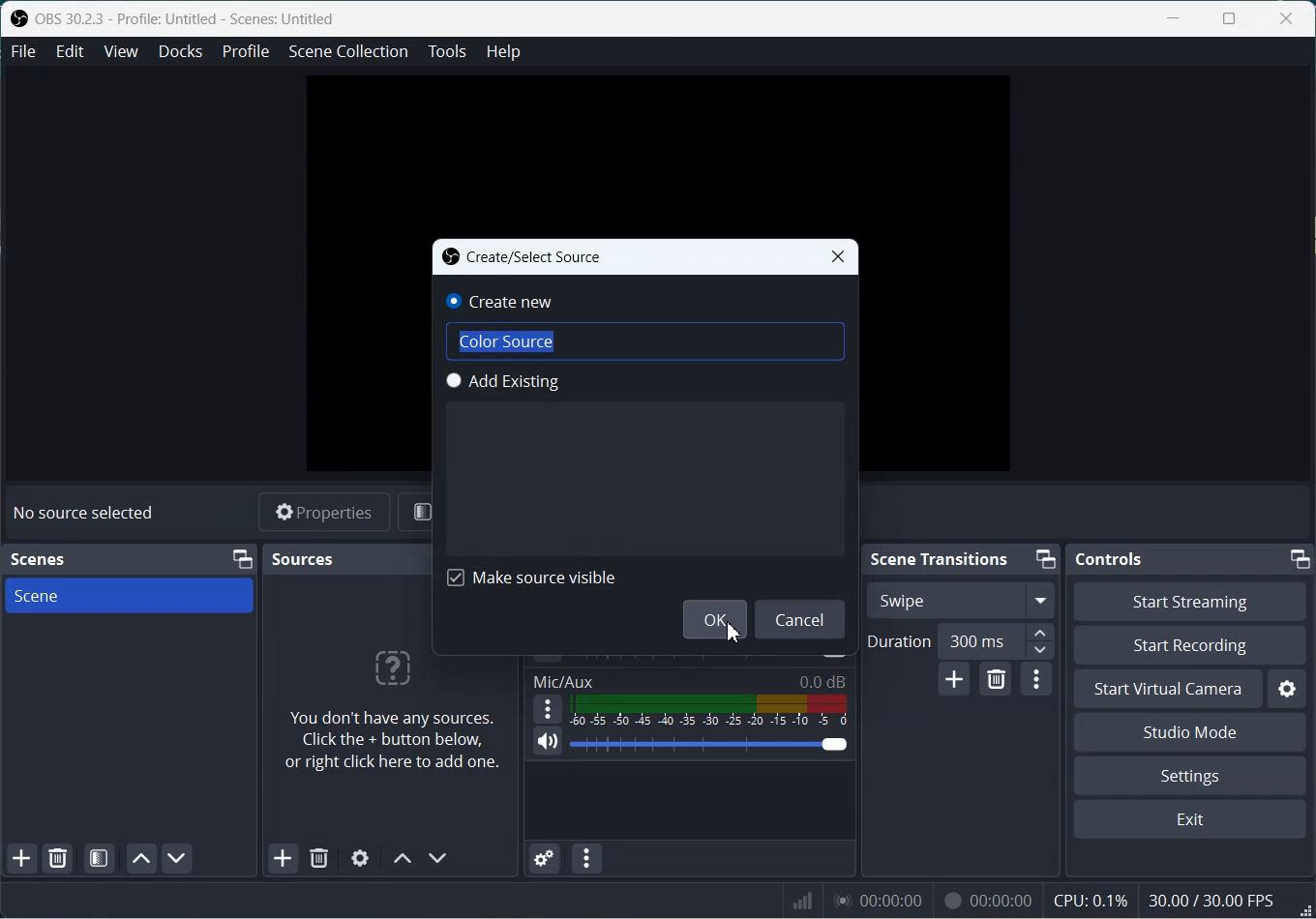 The height and width of the screenshot is (919, 1316). What do you see at coordinates (177, 858) in the screenshot?
I see `Move scene Down` at bounding box center [177, 858].